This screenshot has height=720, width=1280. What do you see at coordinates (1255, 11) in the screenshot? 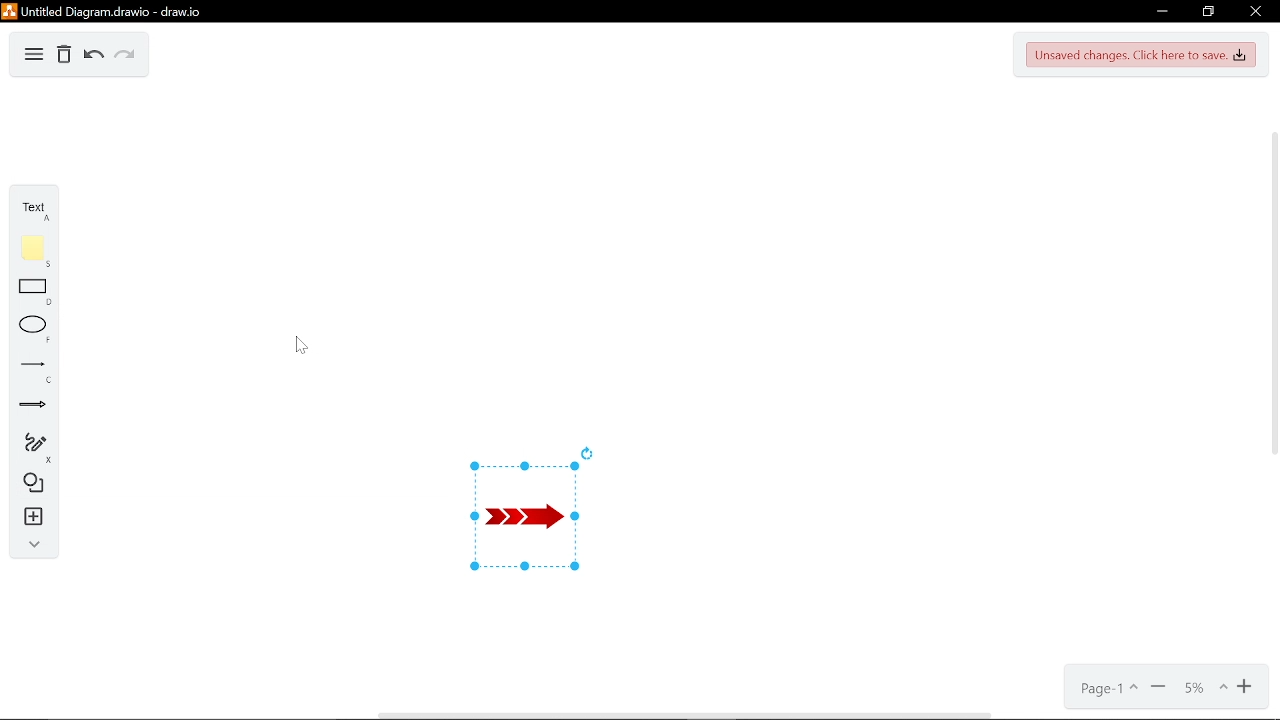
I see `CLose` at bounding box center [1255, 11].